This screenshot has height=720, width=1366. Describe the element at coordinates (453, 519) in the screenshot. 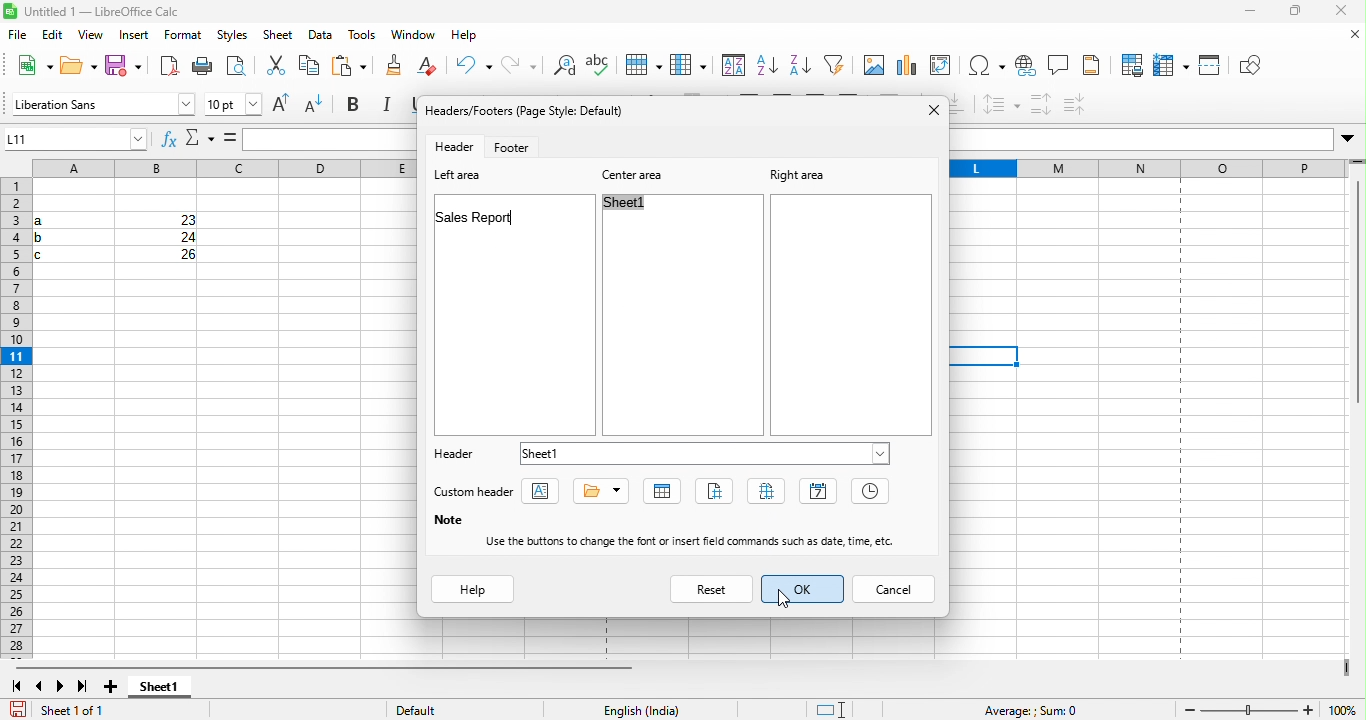

I see `note` at that location.